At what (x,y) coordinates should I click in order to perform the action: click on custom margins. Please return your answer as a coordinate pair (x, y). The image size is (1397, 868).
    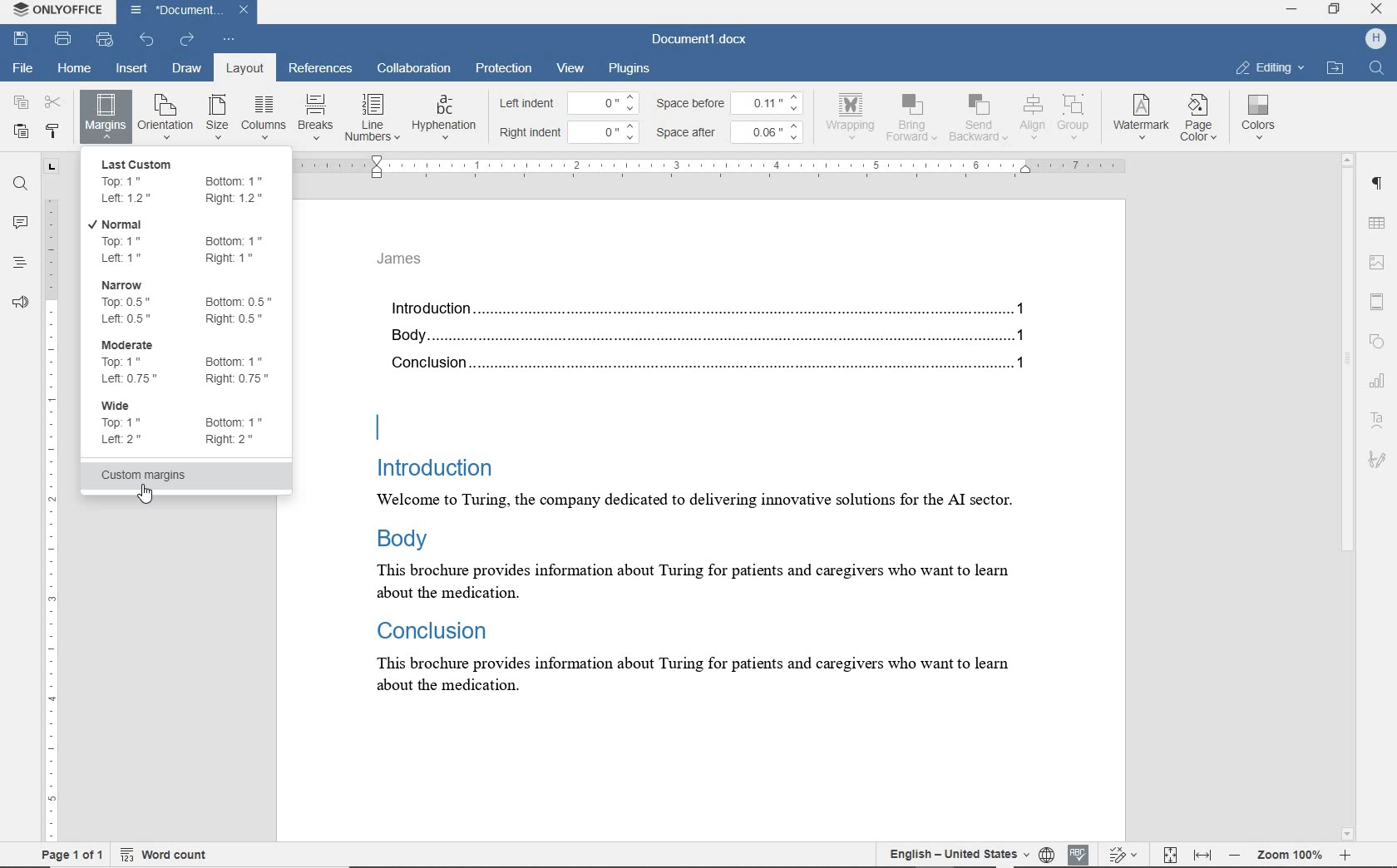
    Looking at the image, I should click on (187, 477).